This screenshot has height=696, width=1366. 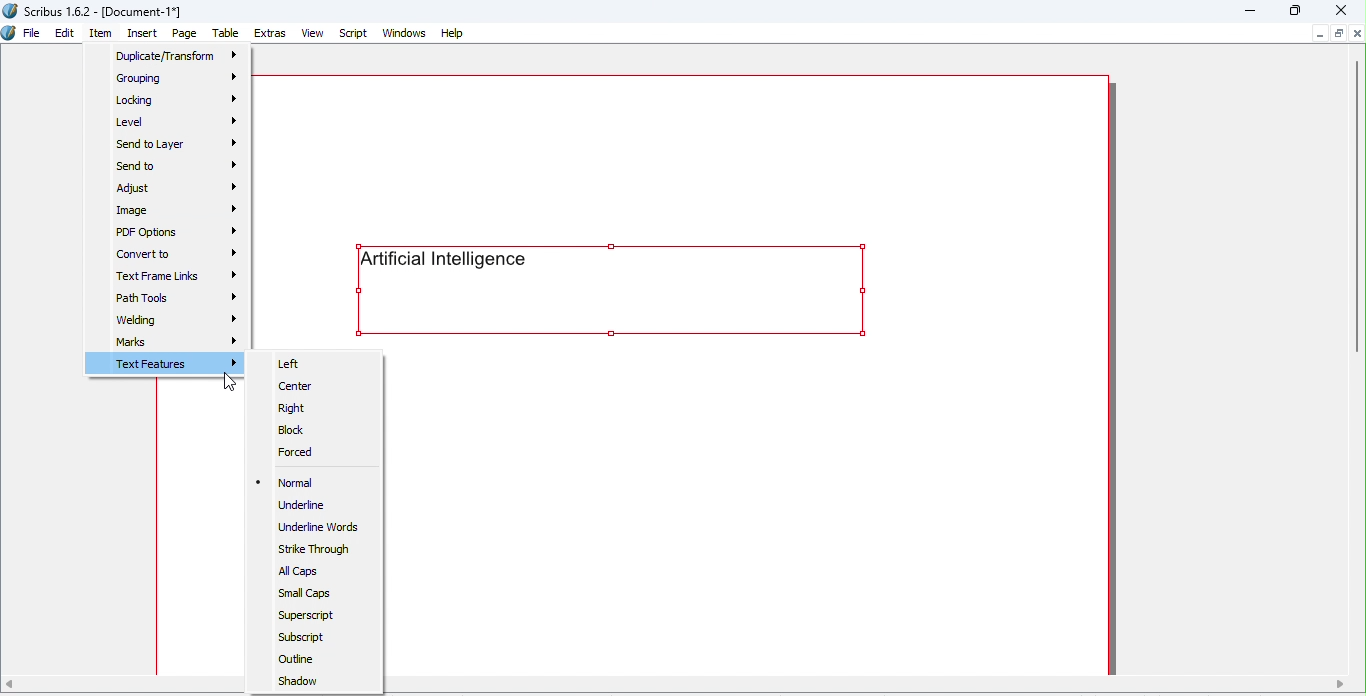 I want to click on Item, so click(x=104, y=35).